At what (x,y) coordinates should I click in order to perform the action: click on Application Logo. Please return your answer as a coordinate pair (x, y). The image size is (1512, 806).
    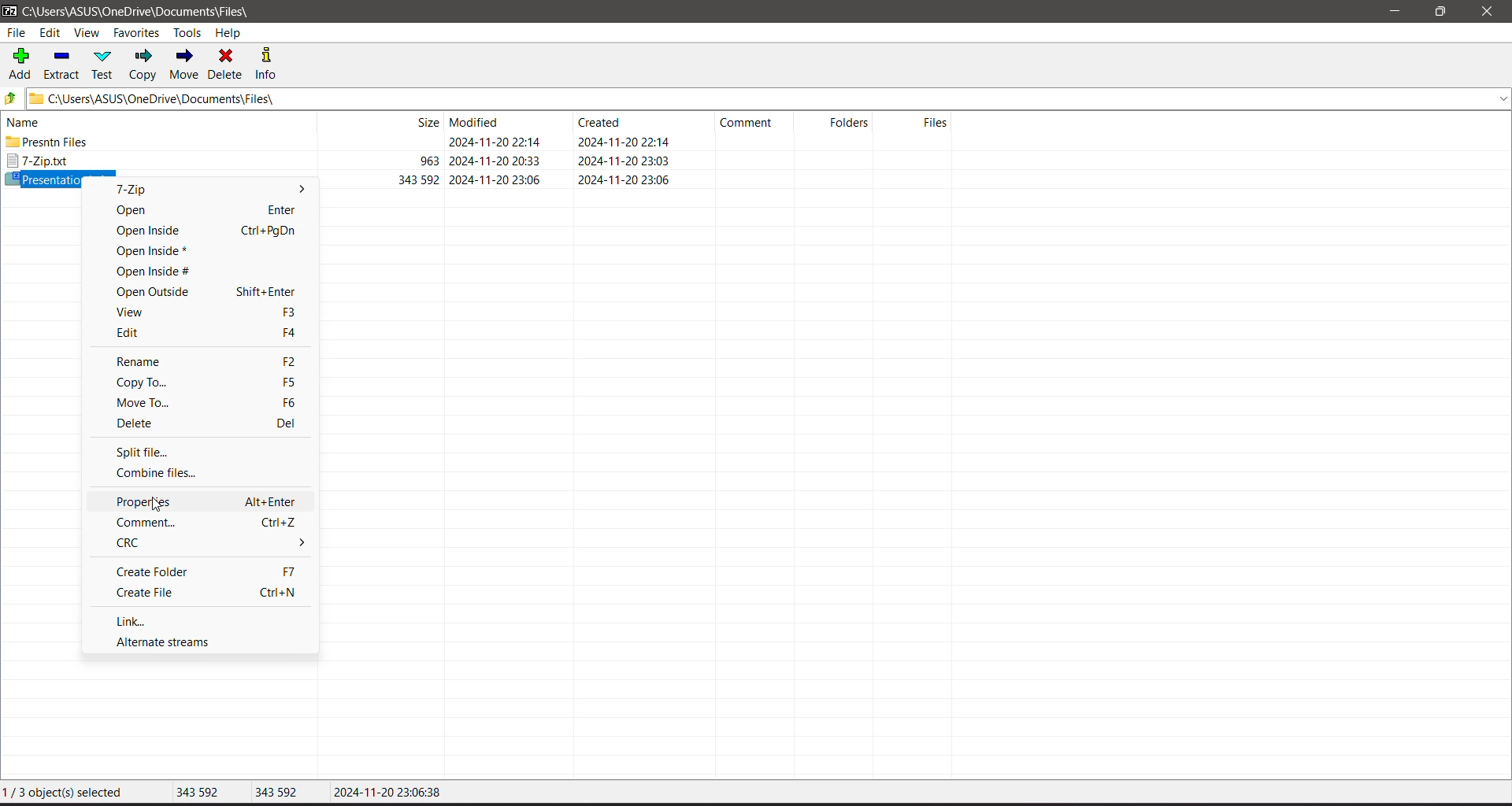
    Looking at the image, I should click on (9, 12).